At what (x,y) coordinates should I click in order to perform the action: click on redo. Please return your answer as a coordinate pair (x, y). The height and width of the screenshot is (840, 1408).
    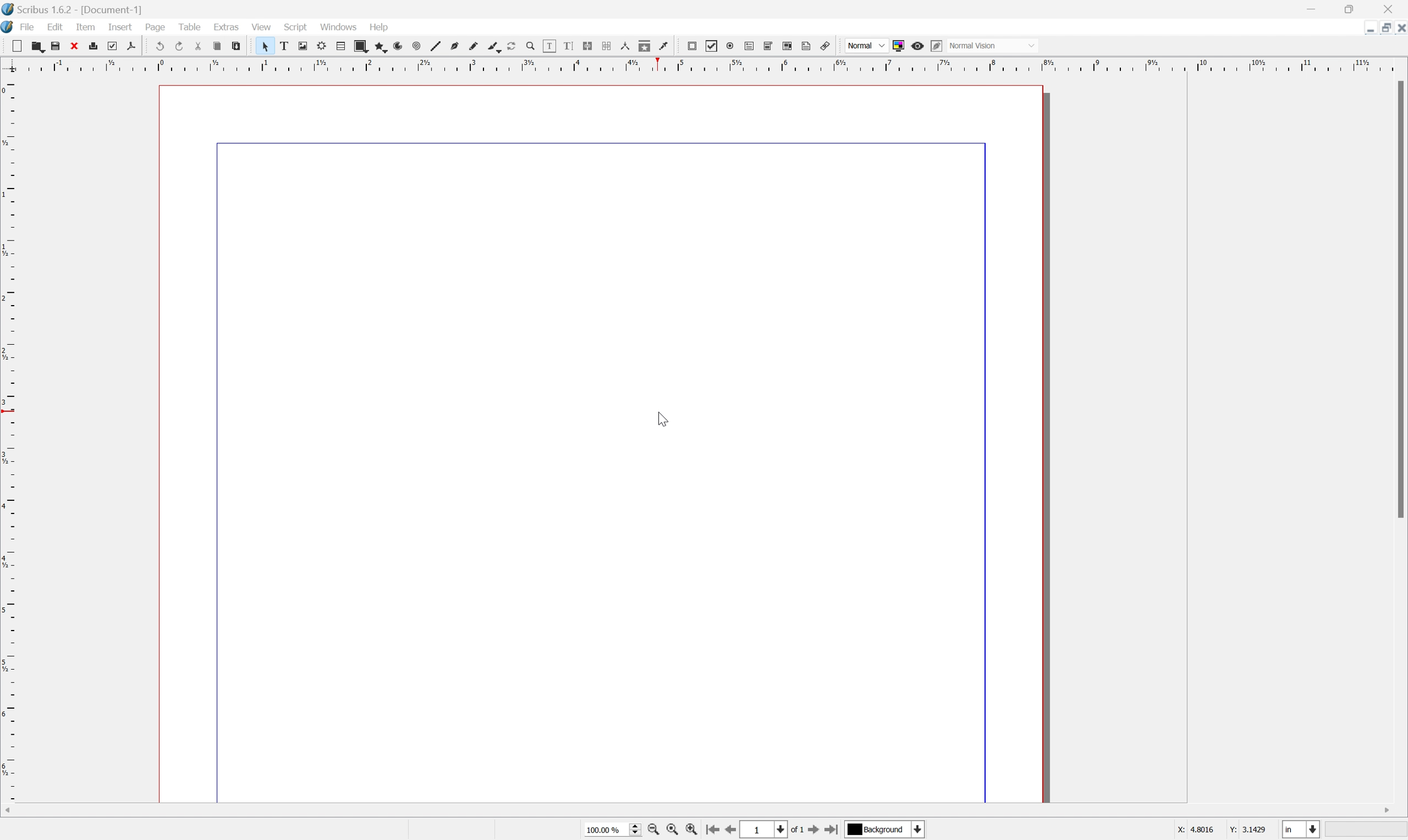
    Looking at the image, I should click on (179, 46).